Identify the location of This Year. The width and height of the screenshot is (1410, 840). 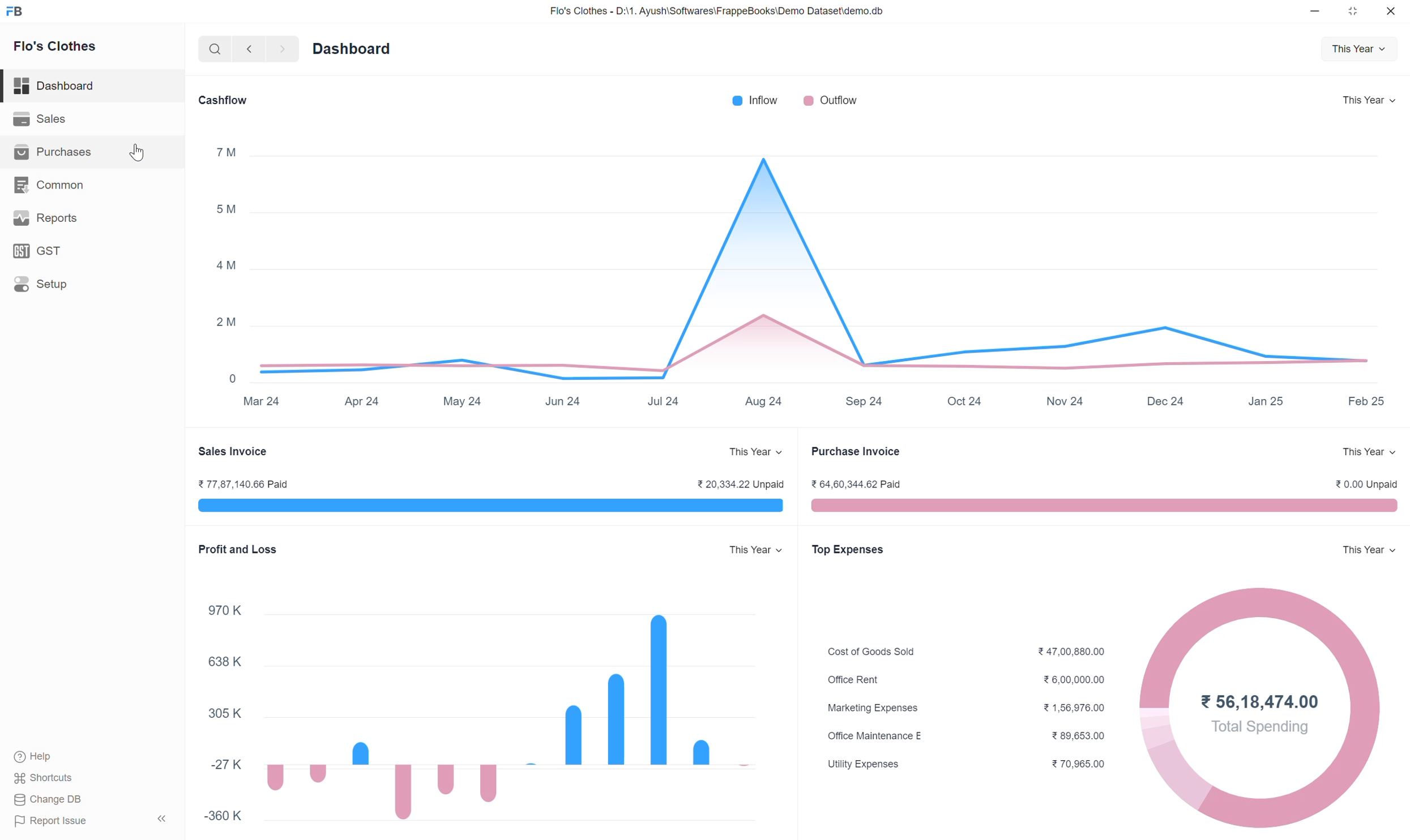
(1370, 451).